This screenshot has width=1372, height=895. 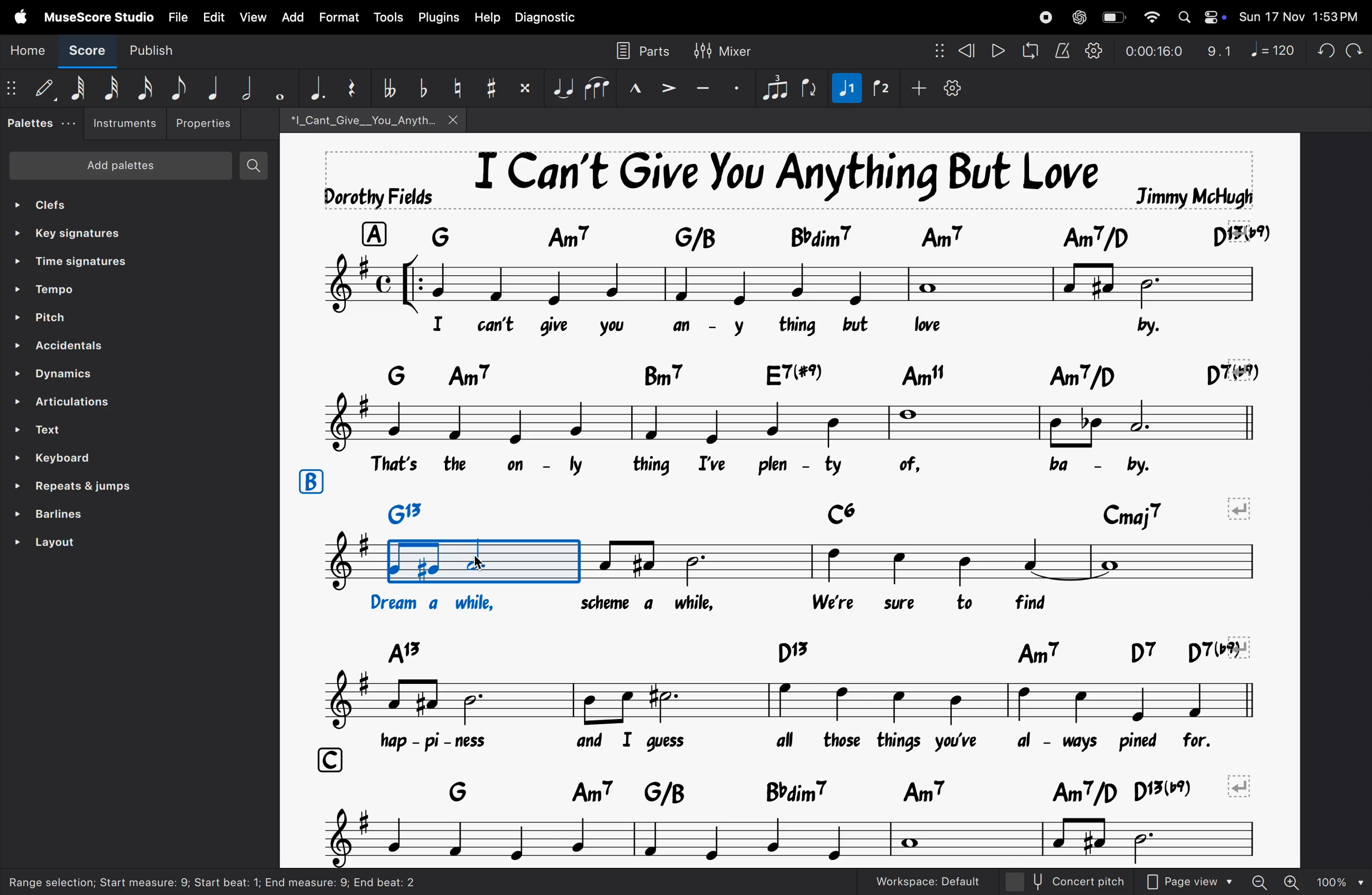 What do you see at coordinates (785, 464) in the screenshot?
I see `lyrics` at bounding box center [785, 464].